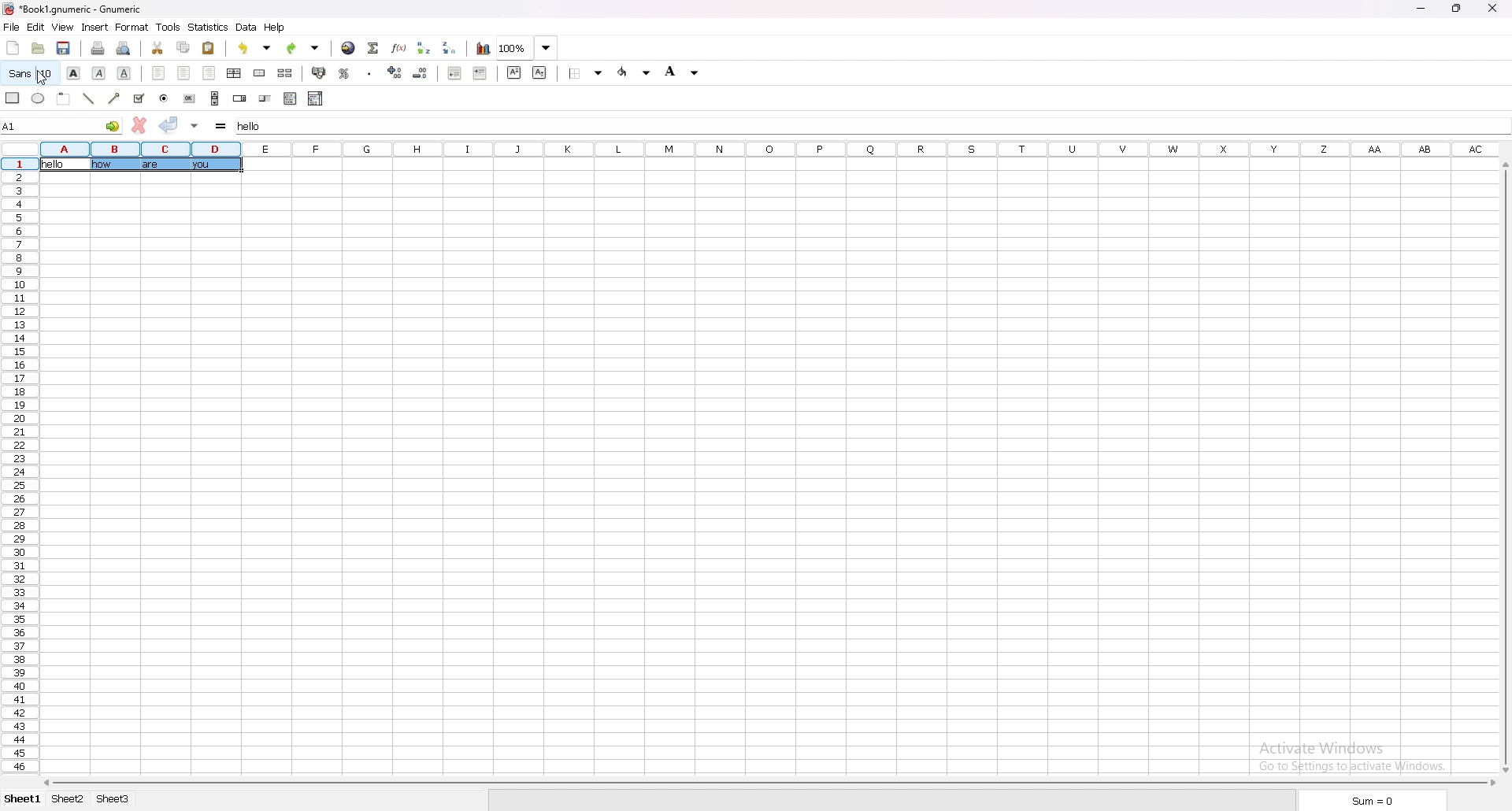  Describe the element at coordinates (480, 74) in the screenshot. I see `increase indent` at that location.